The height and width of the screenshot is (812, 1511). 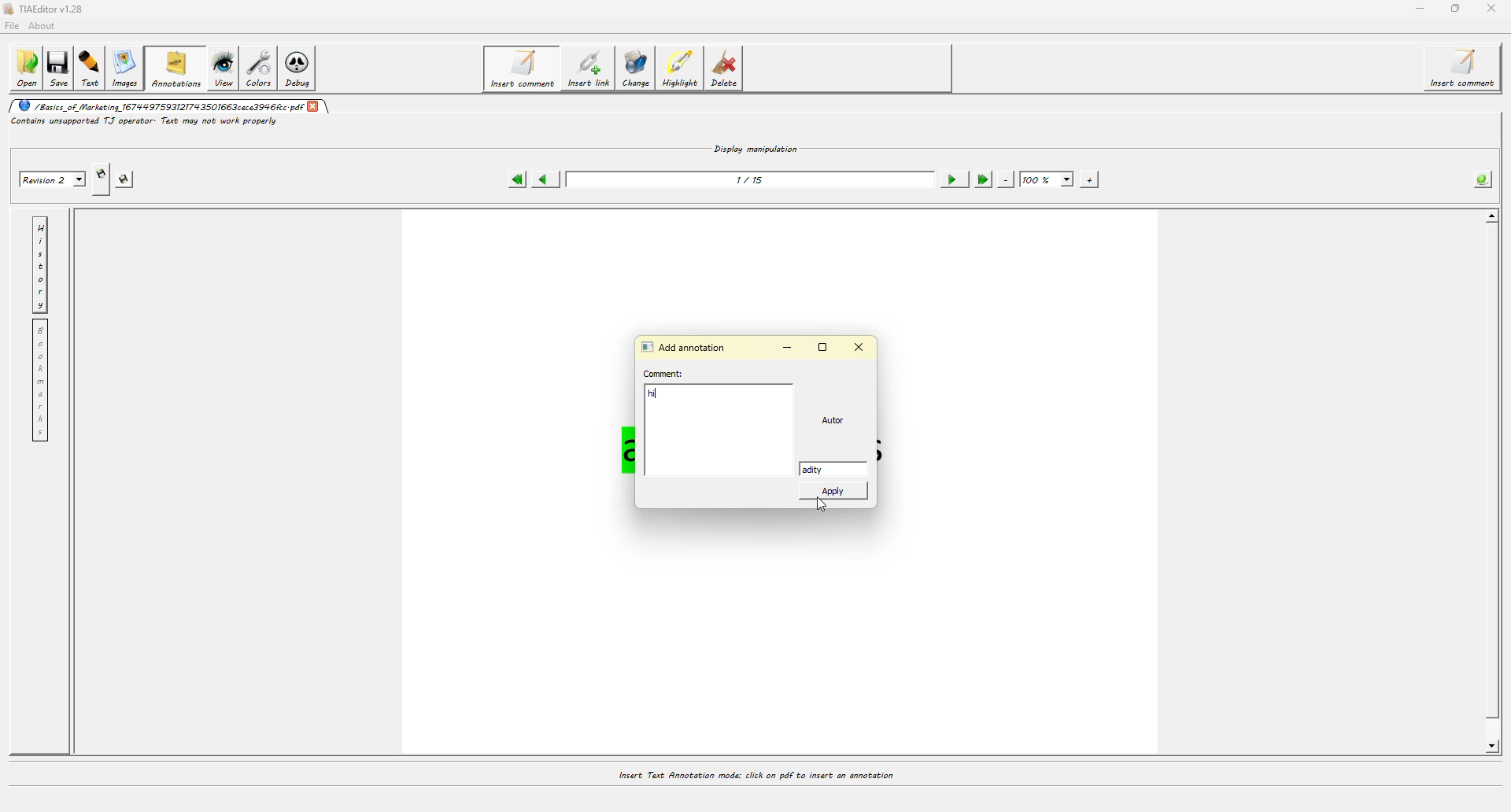 I want to click on display manipulation, so click(x=756, y=147).